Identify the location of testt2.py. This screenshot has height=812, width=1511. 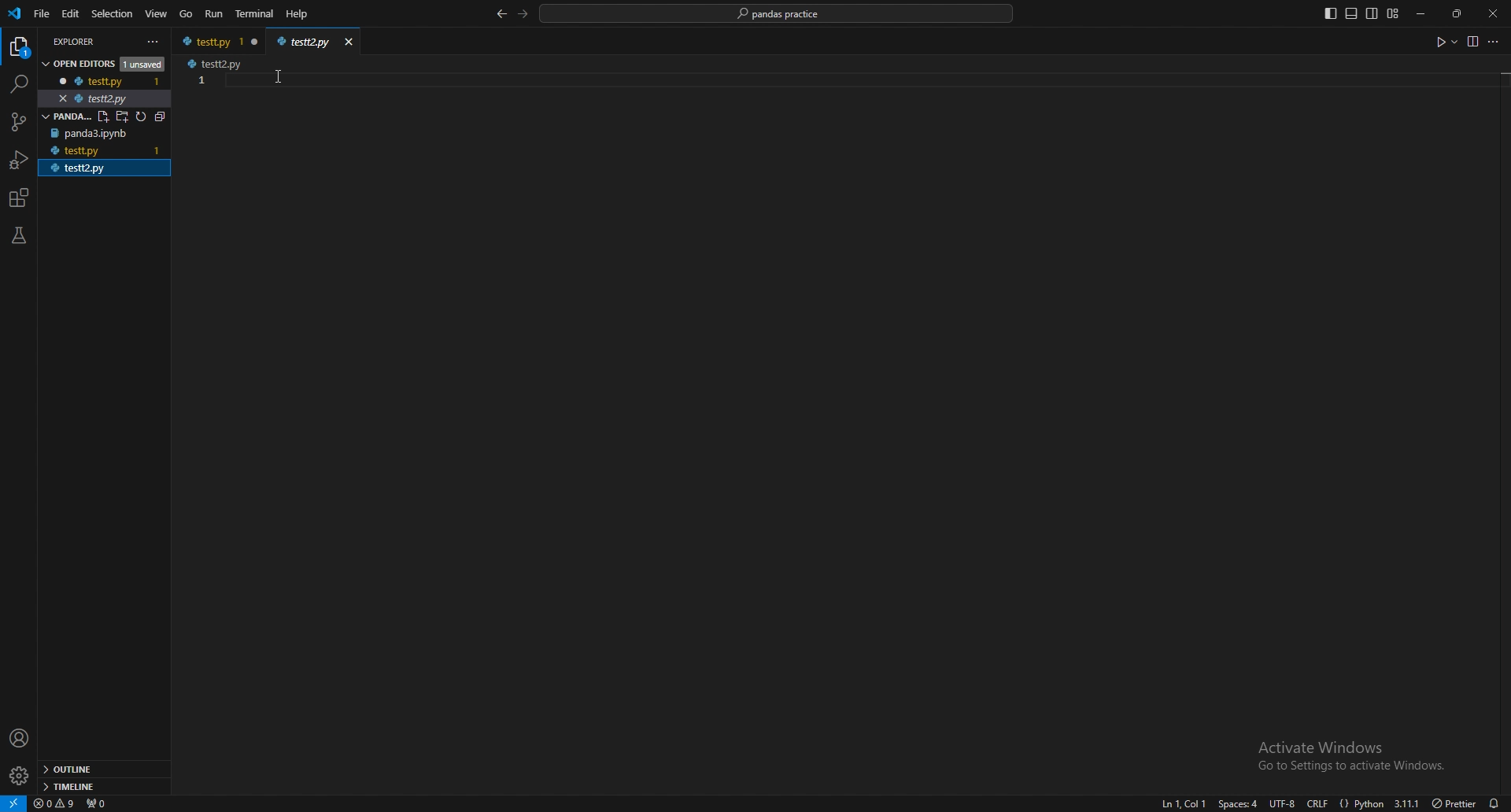
(94, 98).